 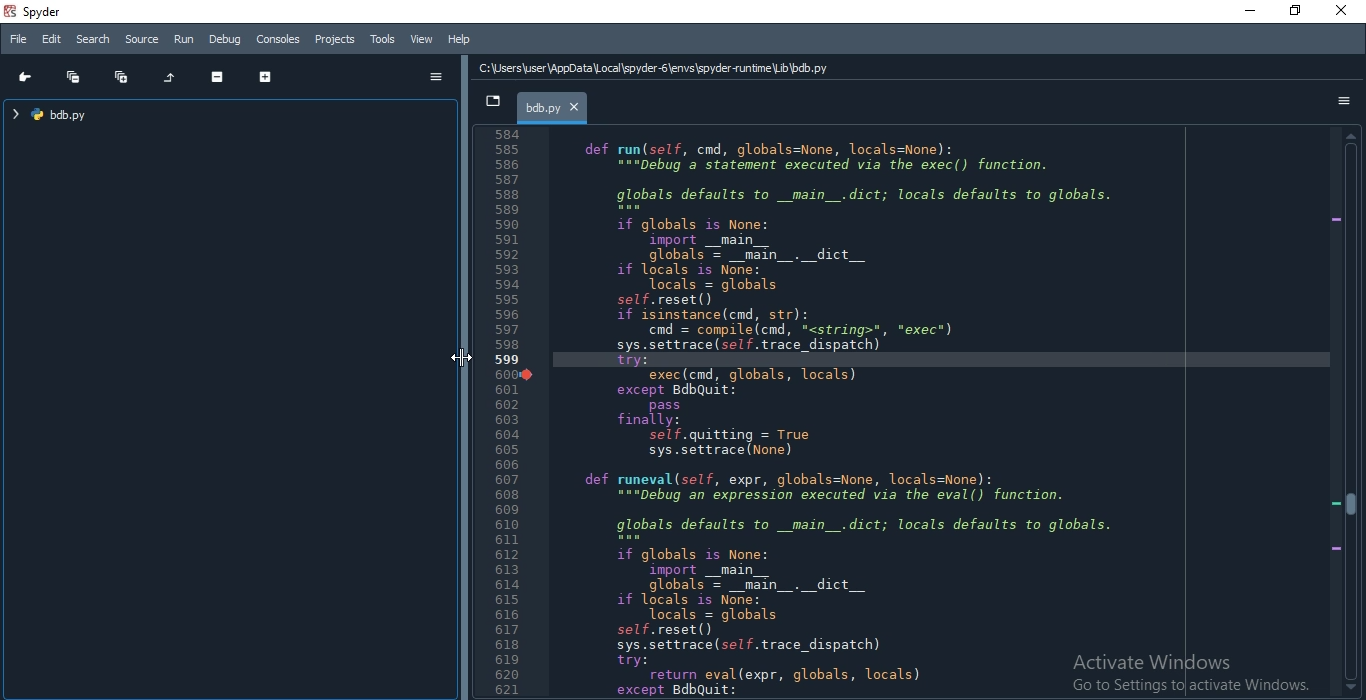 I want to click on dropdown, so click(x=494, y=102).